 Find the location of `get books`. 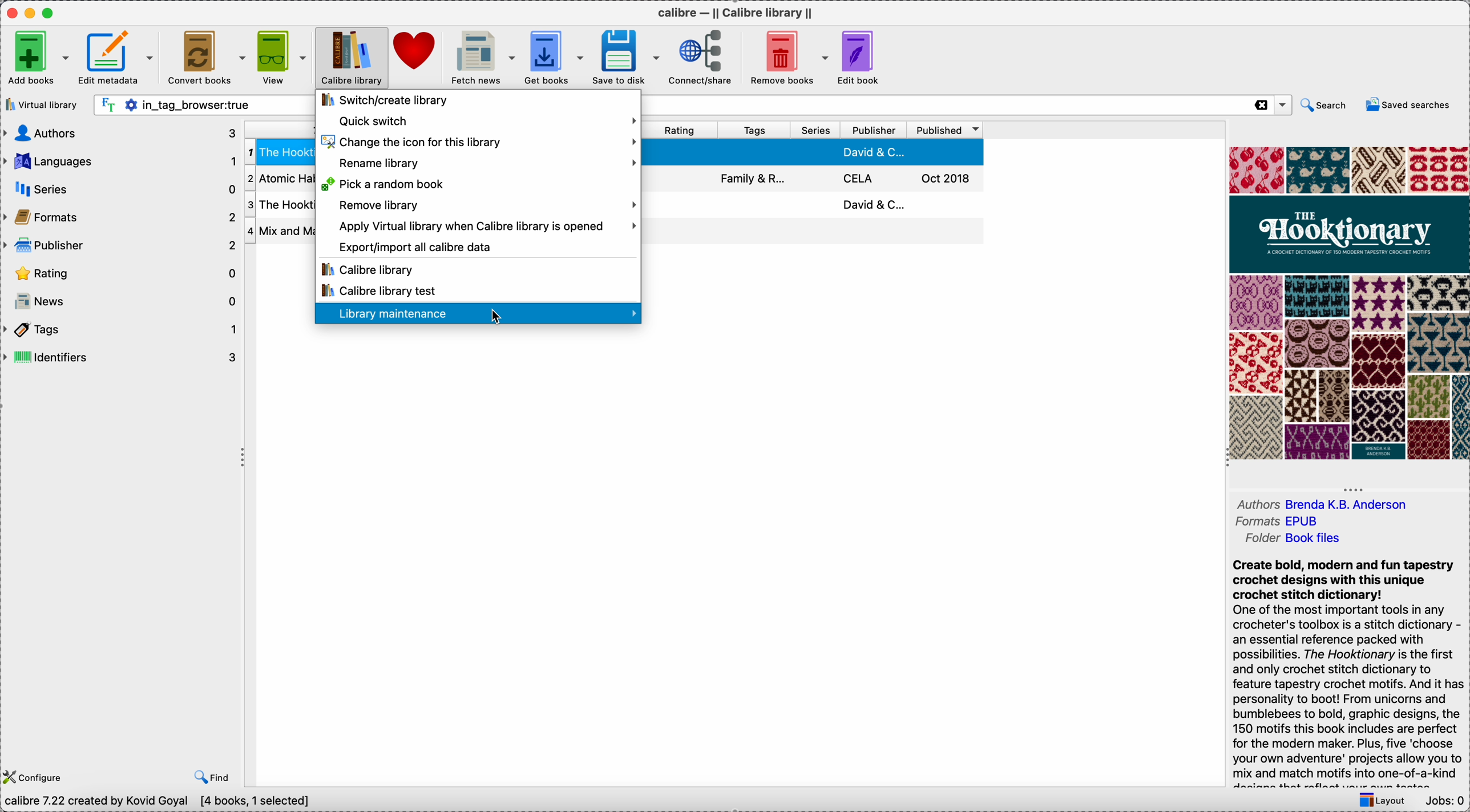

get books is located at coordinates (555, 56).